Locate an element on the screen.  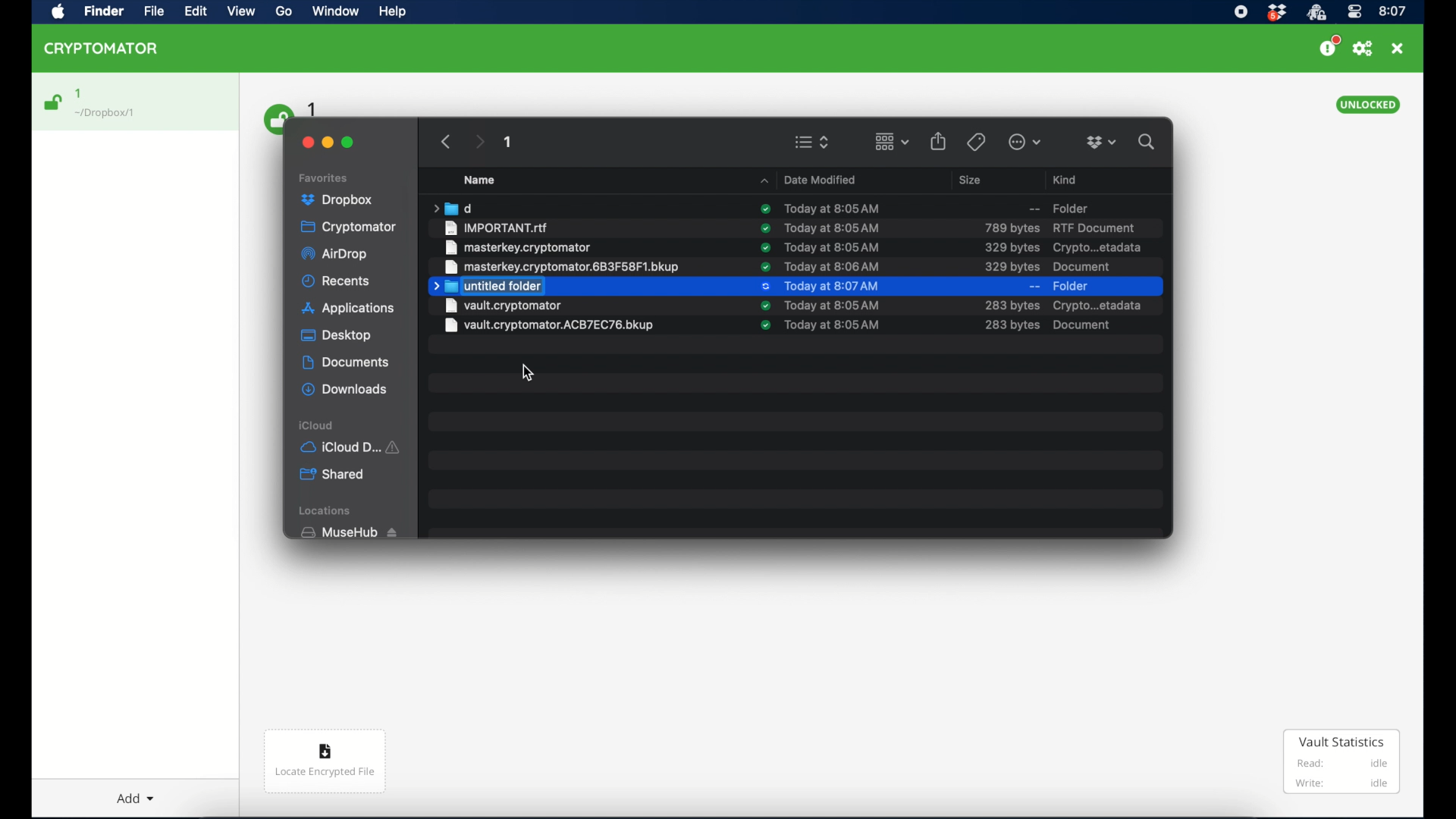
iCloud is located at coordinates (353, 446).